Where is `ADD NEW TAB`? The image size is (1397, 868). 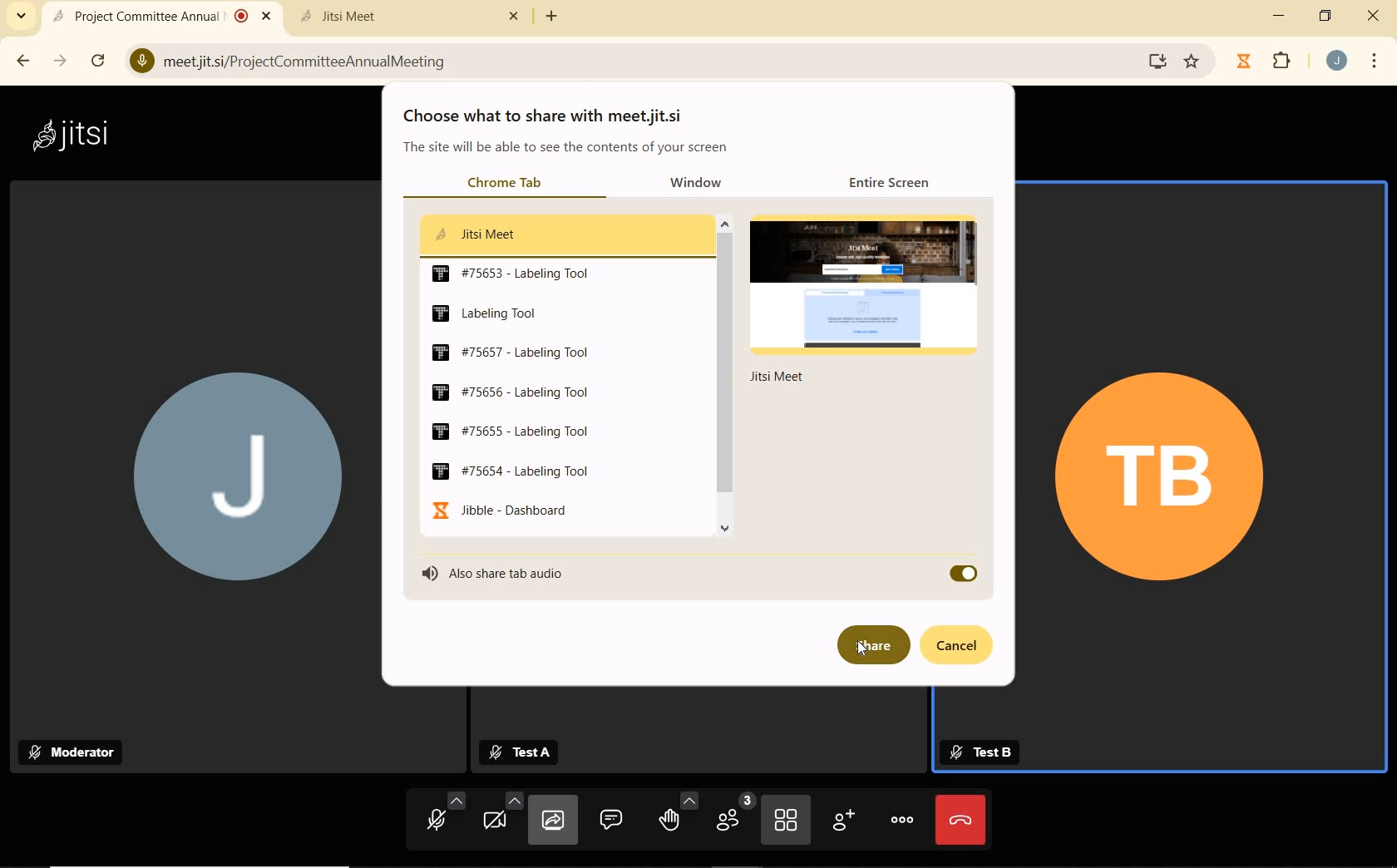 ADD NEW TAB is located at coordinates (552, 16).